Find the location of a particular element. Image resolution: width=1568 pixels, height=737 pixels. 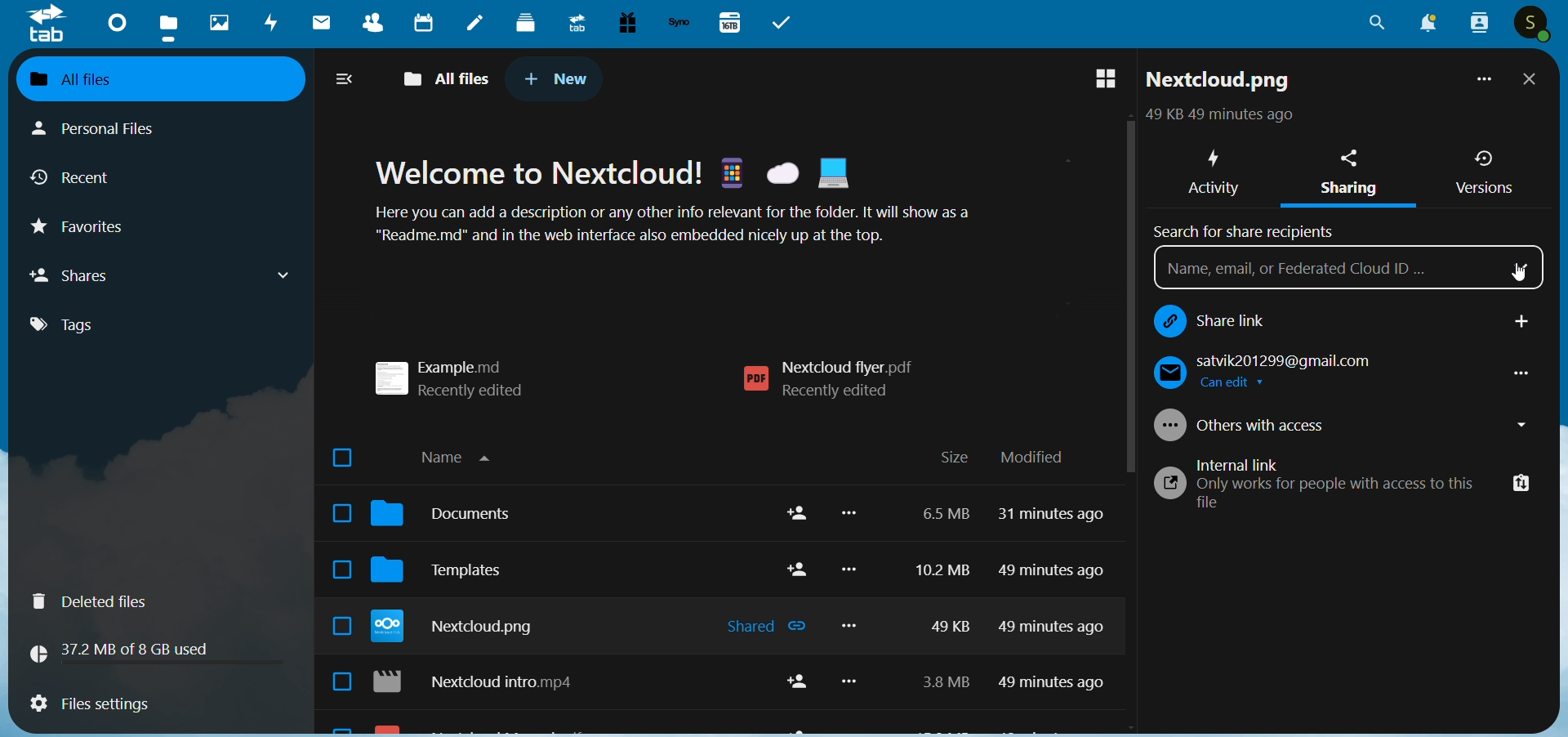

versions is located at coordinates (1484, 172).